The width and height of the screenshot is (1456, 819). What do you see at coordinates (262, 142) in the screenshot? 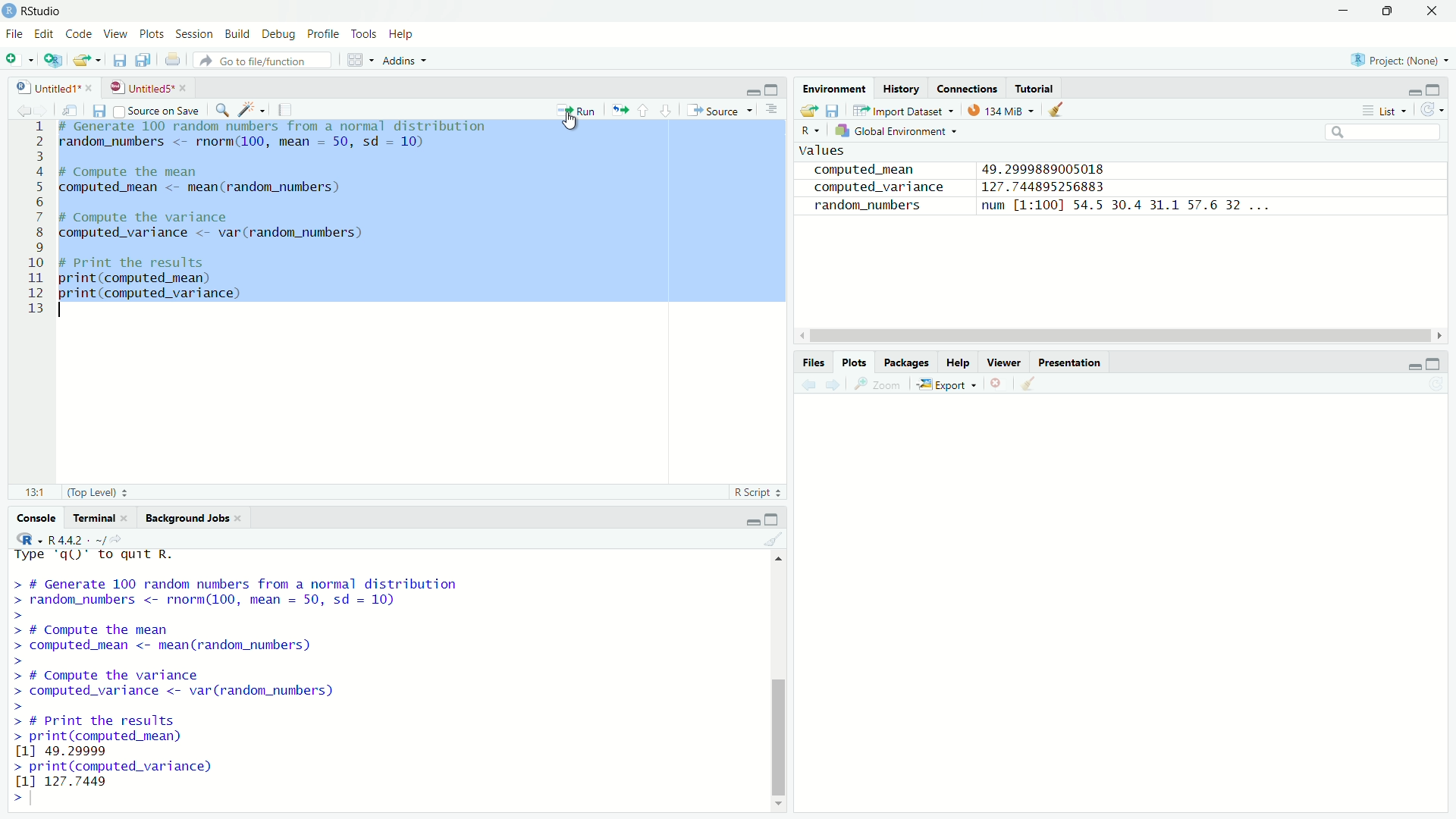
I see `random_numbers <- rnorm(100, mean = 50, sd = 10)` at bounding box center [262, 142].